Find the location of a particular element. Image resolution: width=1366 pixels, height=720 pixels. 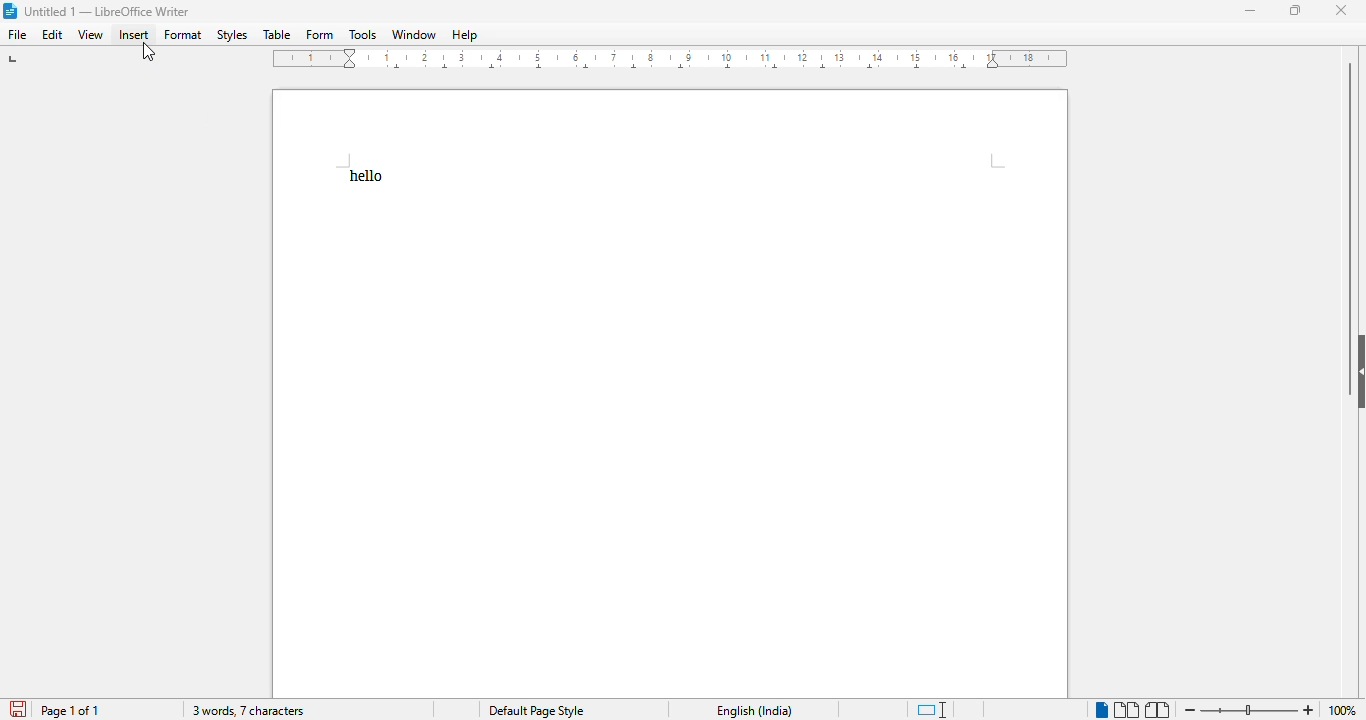

multi-page view is located at coordinates (1126, 710).